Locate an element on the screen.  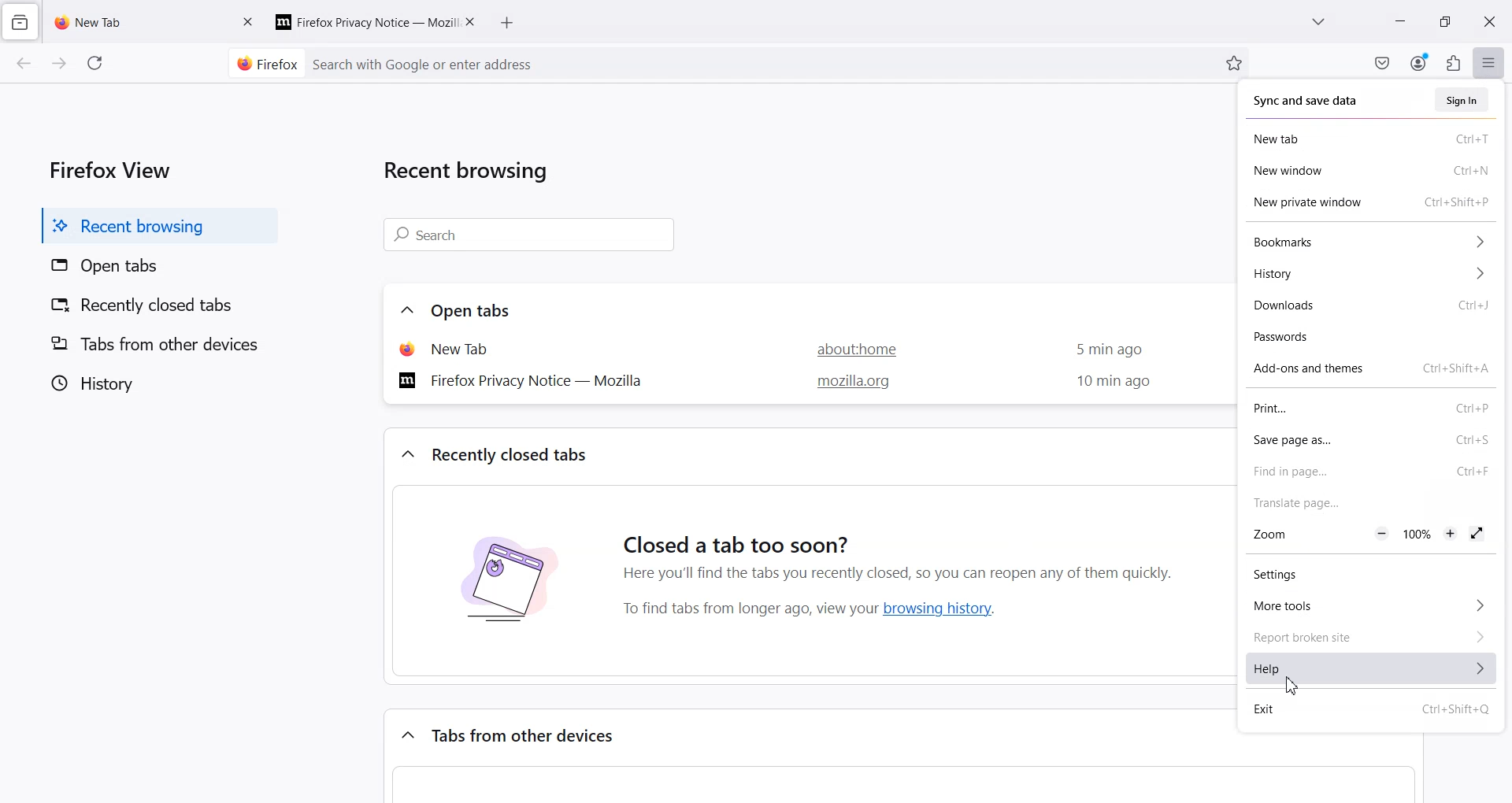
Reload is located at coordinates (97, 63).